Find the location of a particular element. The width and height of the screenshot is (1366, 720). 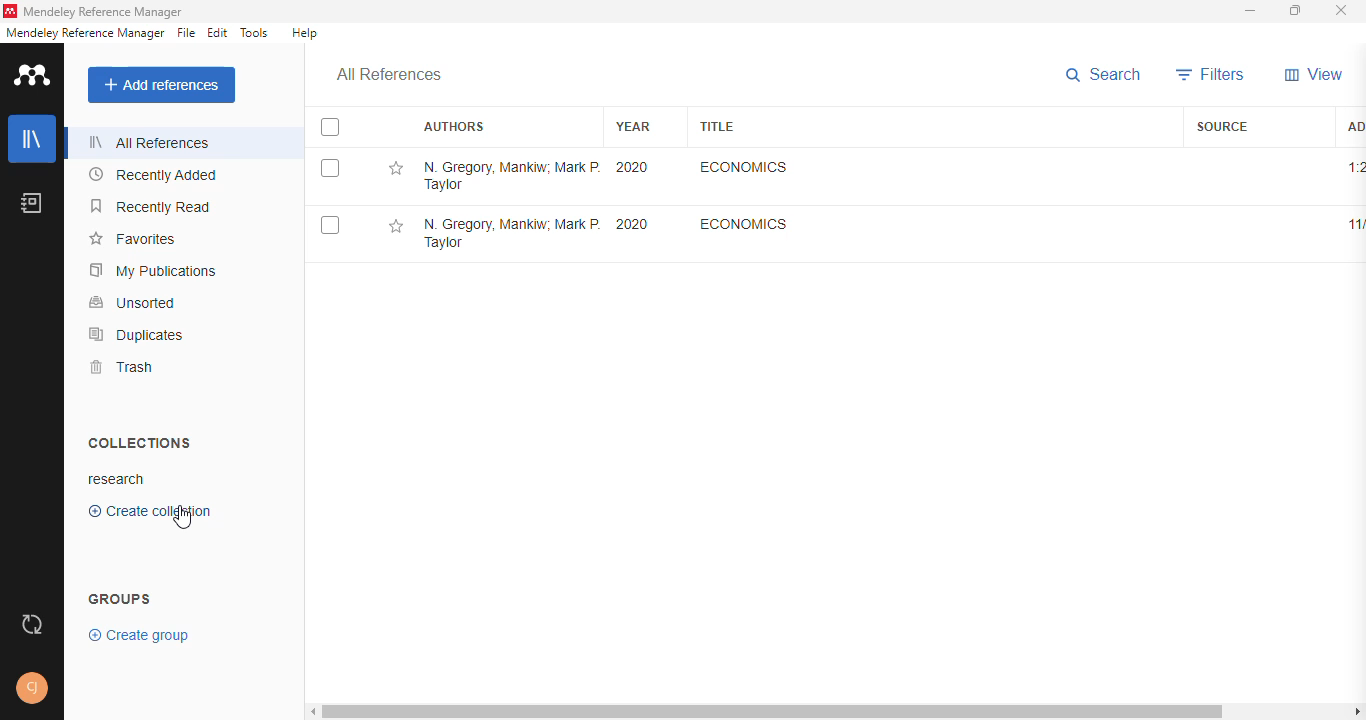

groups is located at coordinates (120, 599).